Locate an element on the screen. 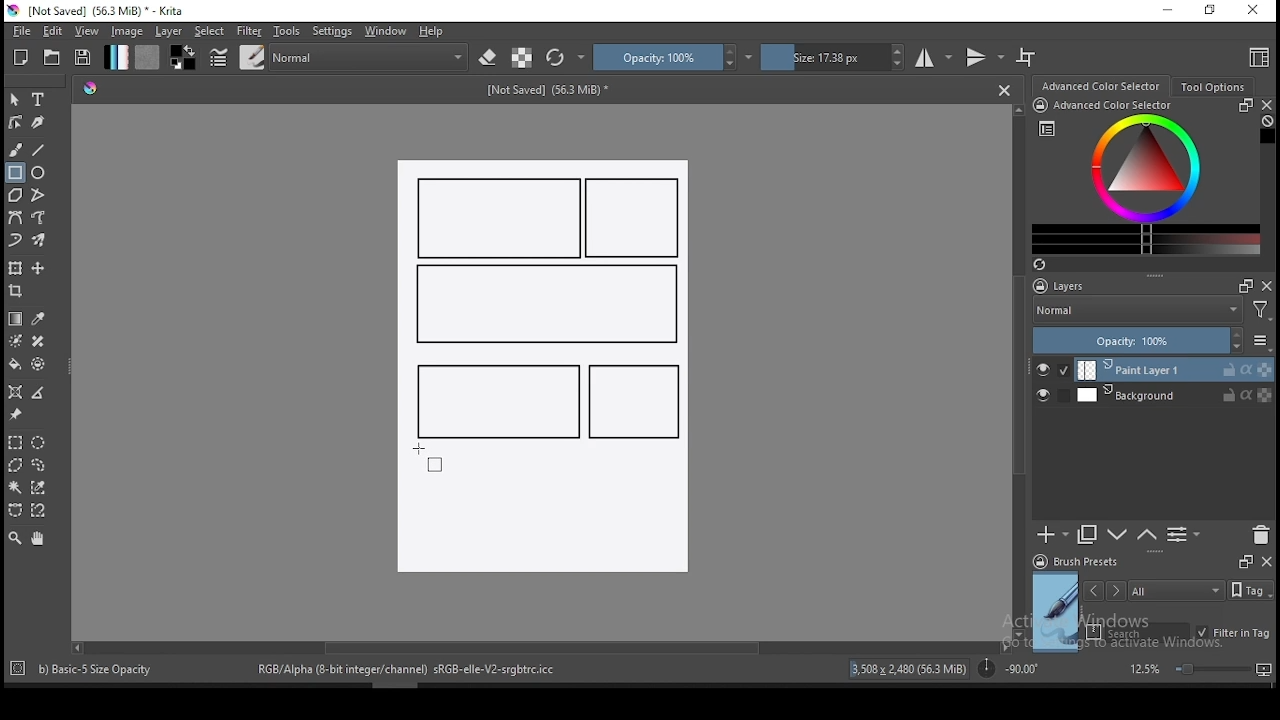 Image resolution: width=1280 pixels, height=720 pixels. measure distance between two points is located at coordinates (39, 394).